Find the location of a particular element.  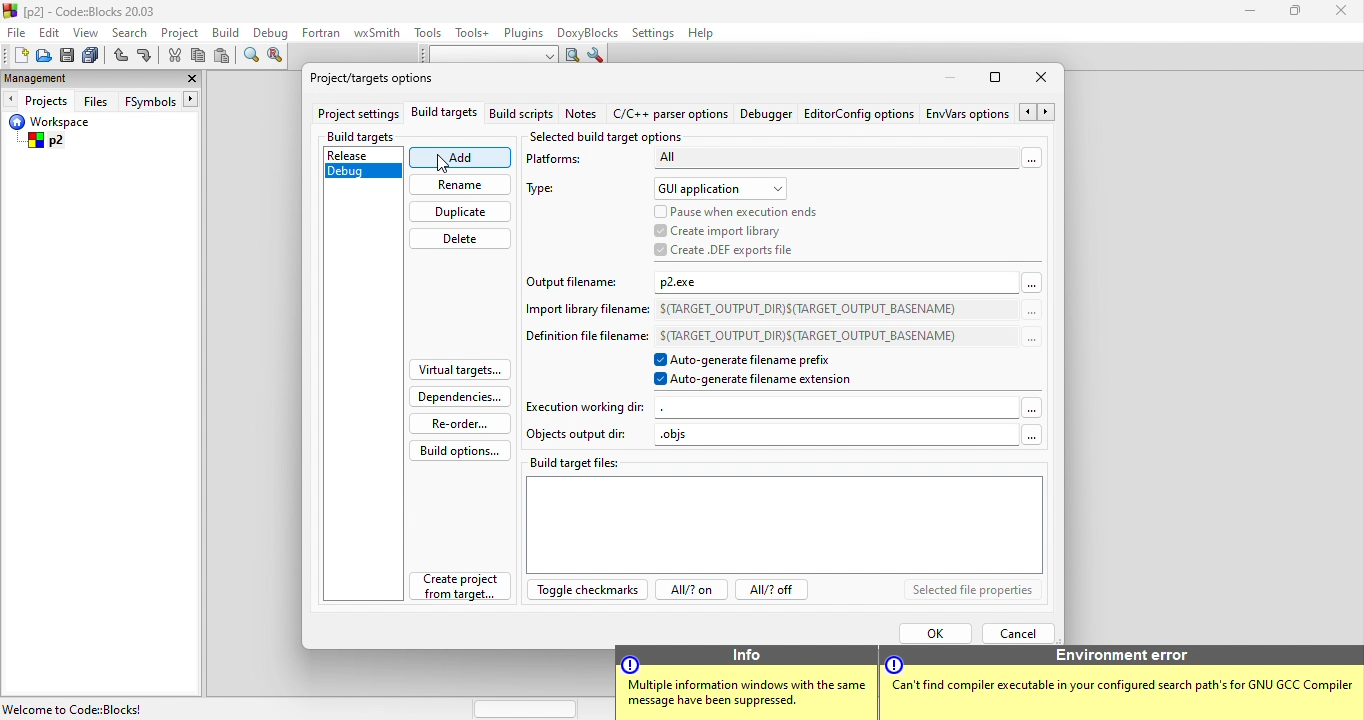

cancel is located at coordinates (1019, 631).